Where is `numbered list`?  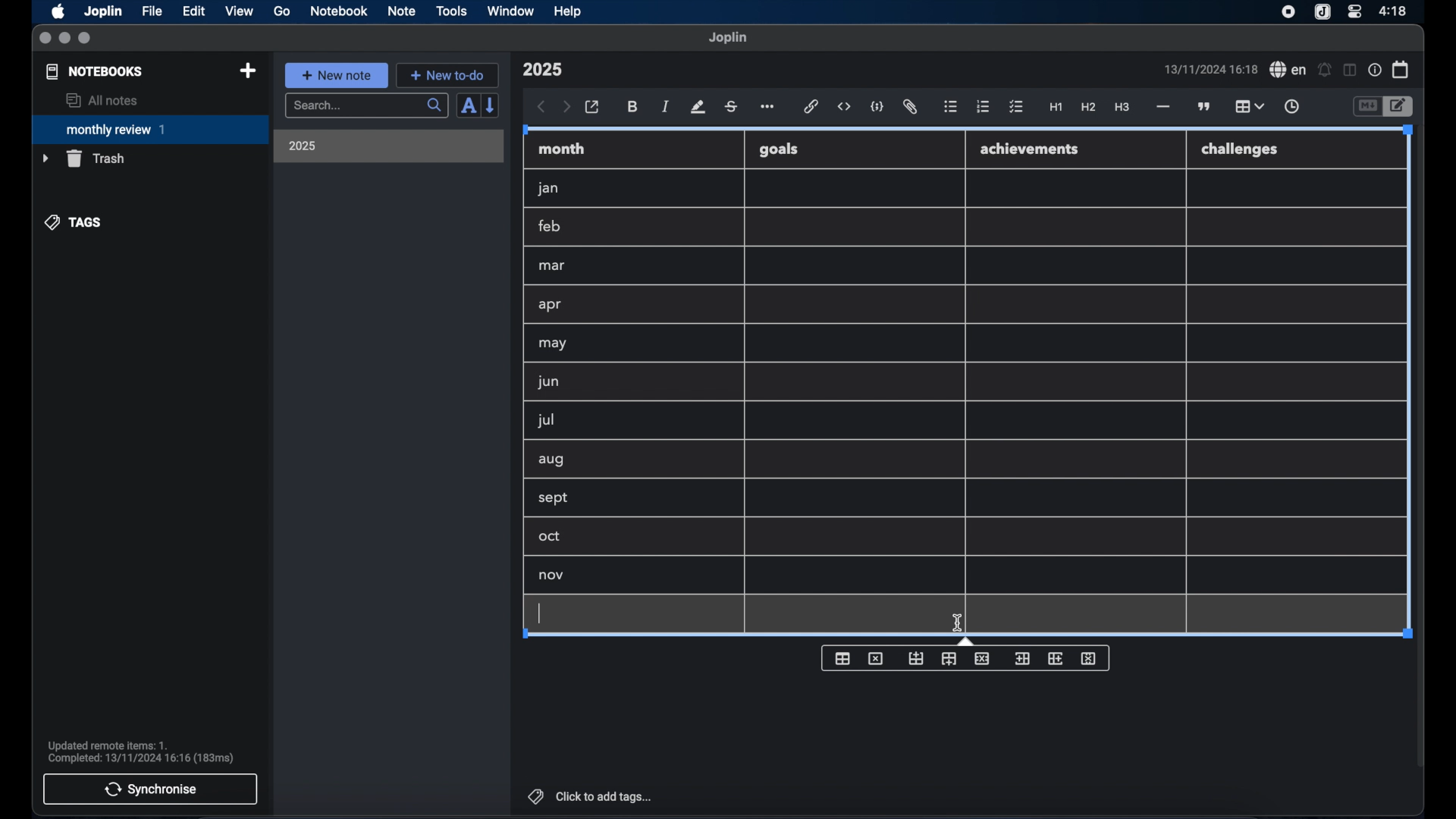 numbered list is located at coordinates (983, 106).